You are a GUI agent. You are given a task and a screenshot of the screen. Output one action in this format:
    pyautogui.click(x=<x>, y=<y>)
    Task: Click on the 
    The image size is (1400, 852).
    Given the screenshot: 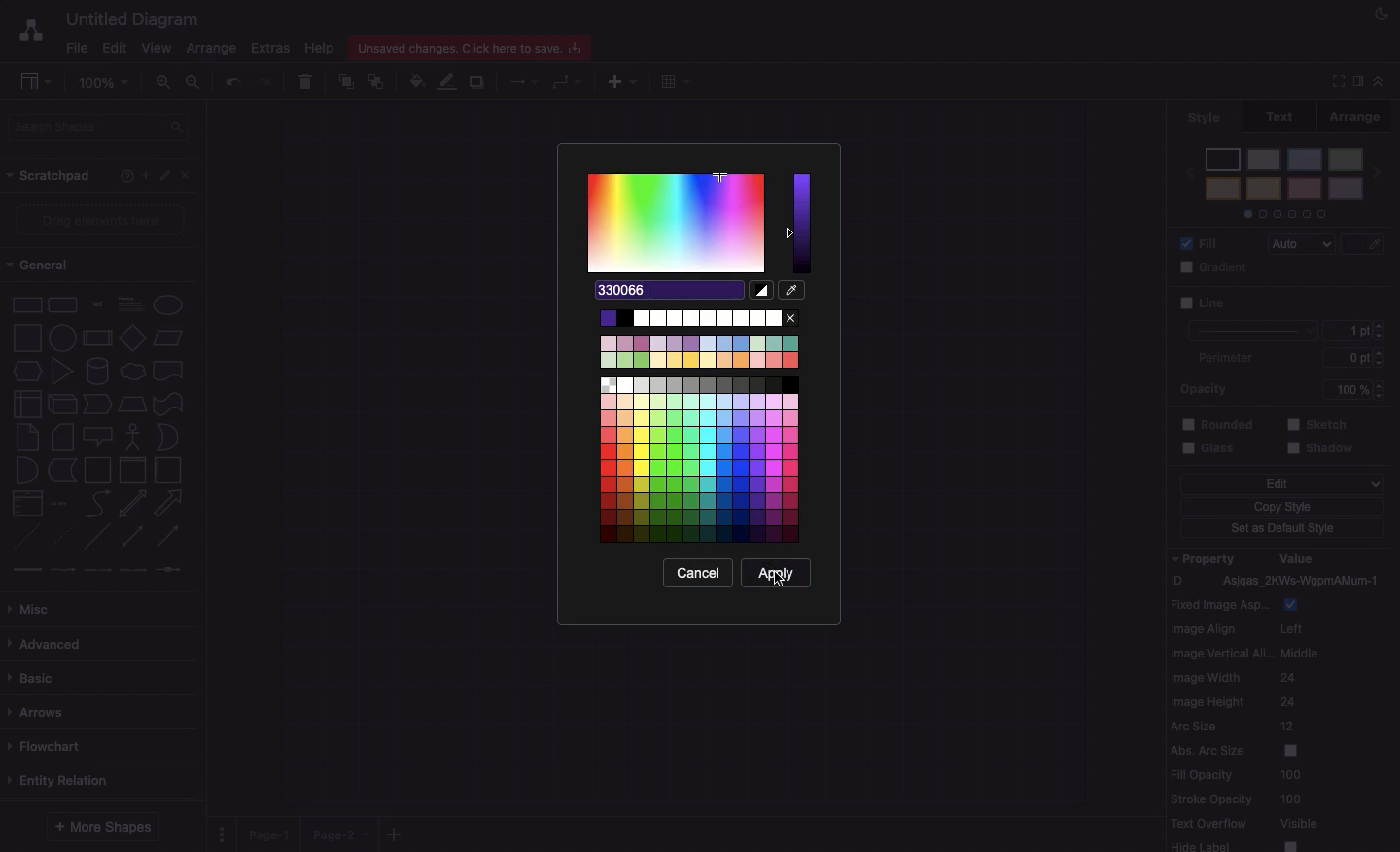 What is the action you would take?
    pyautogui.click(x=132, y=337)
    